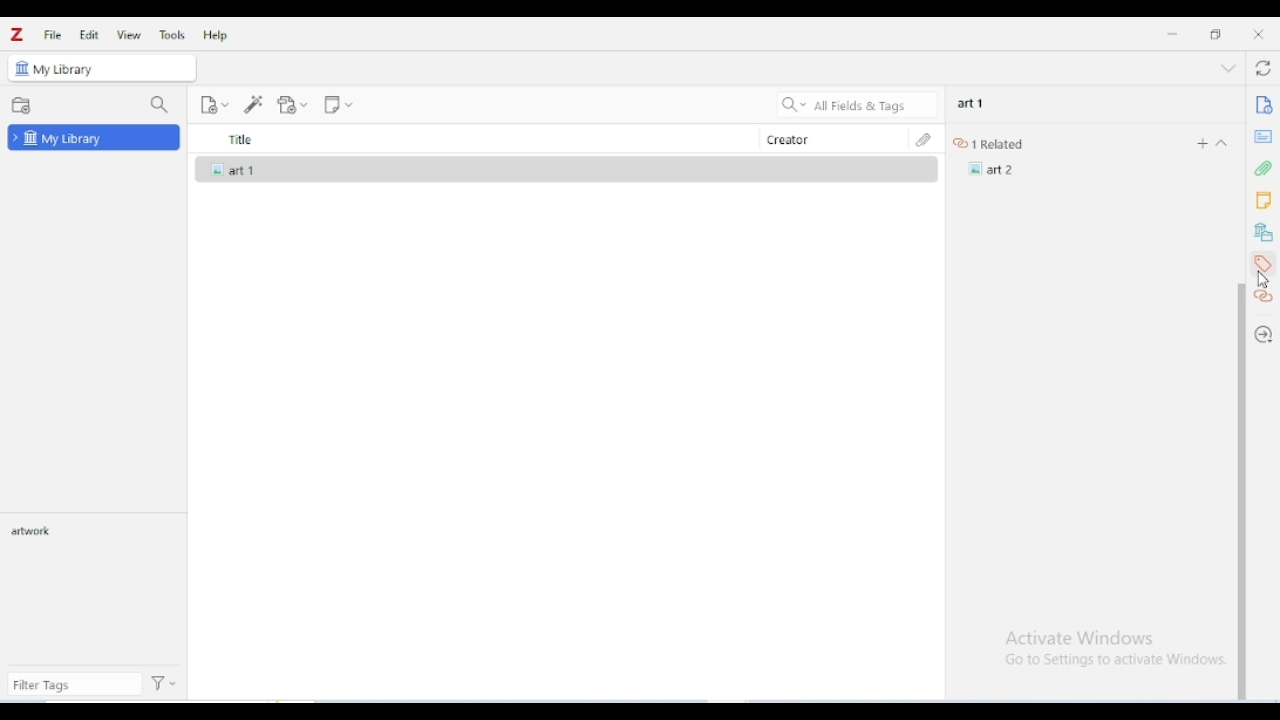  I want to click on abstract, so click(1263, 137).